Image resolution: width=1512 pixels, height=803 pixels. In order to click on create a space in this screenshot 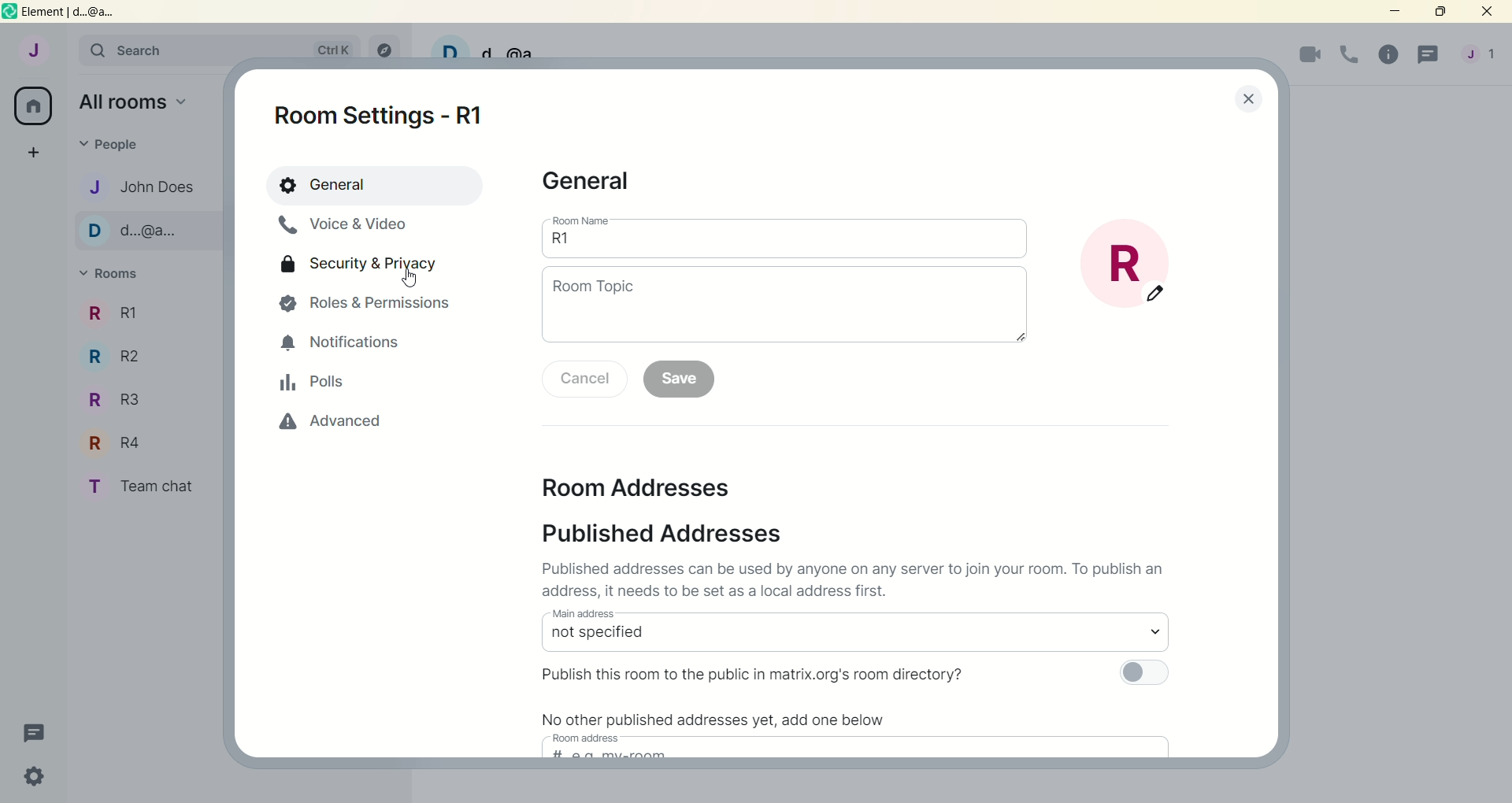, I will do `click(34, 154)`.